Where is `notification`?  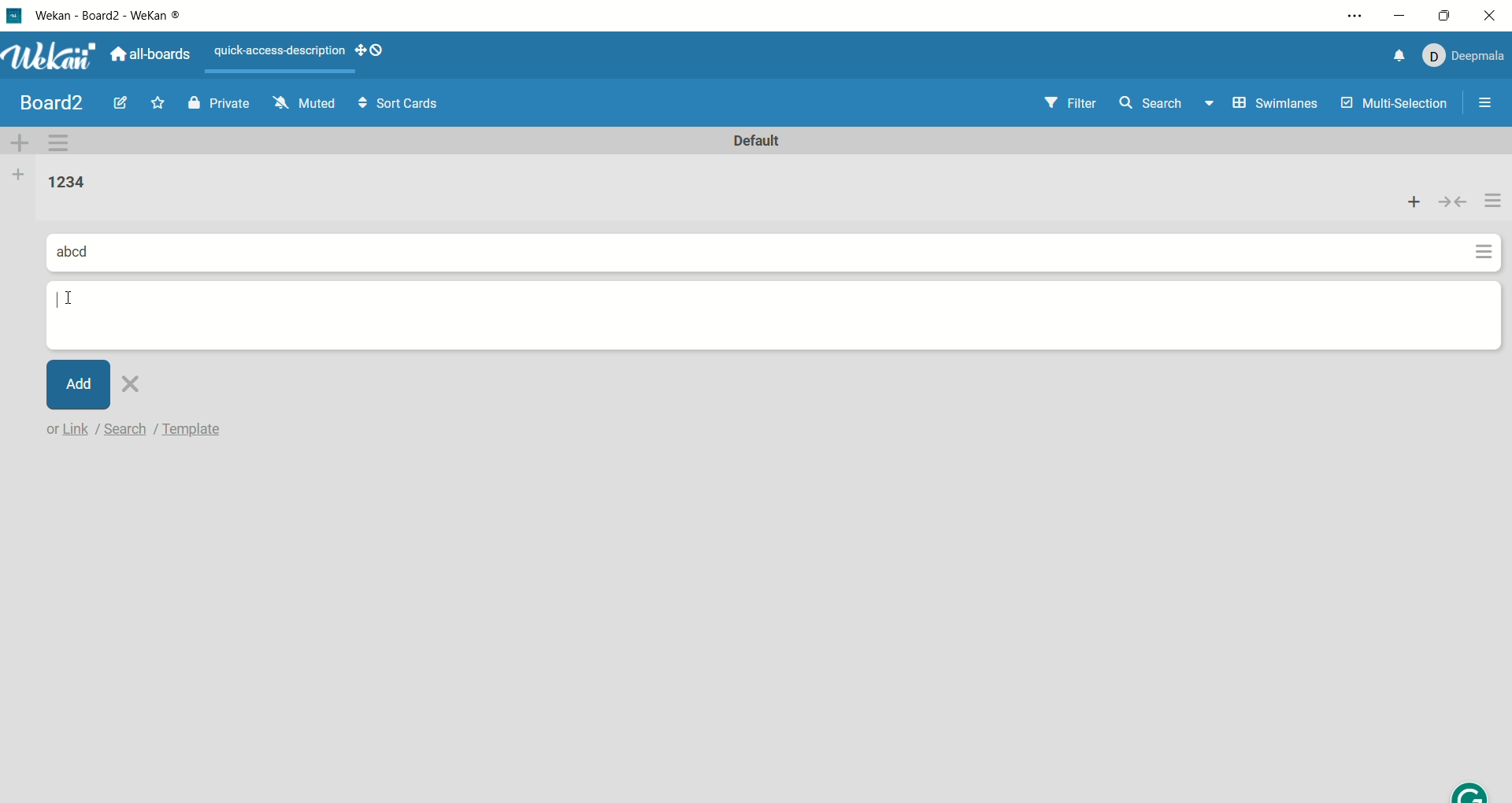
notification is located at coordinates (1393, 56).